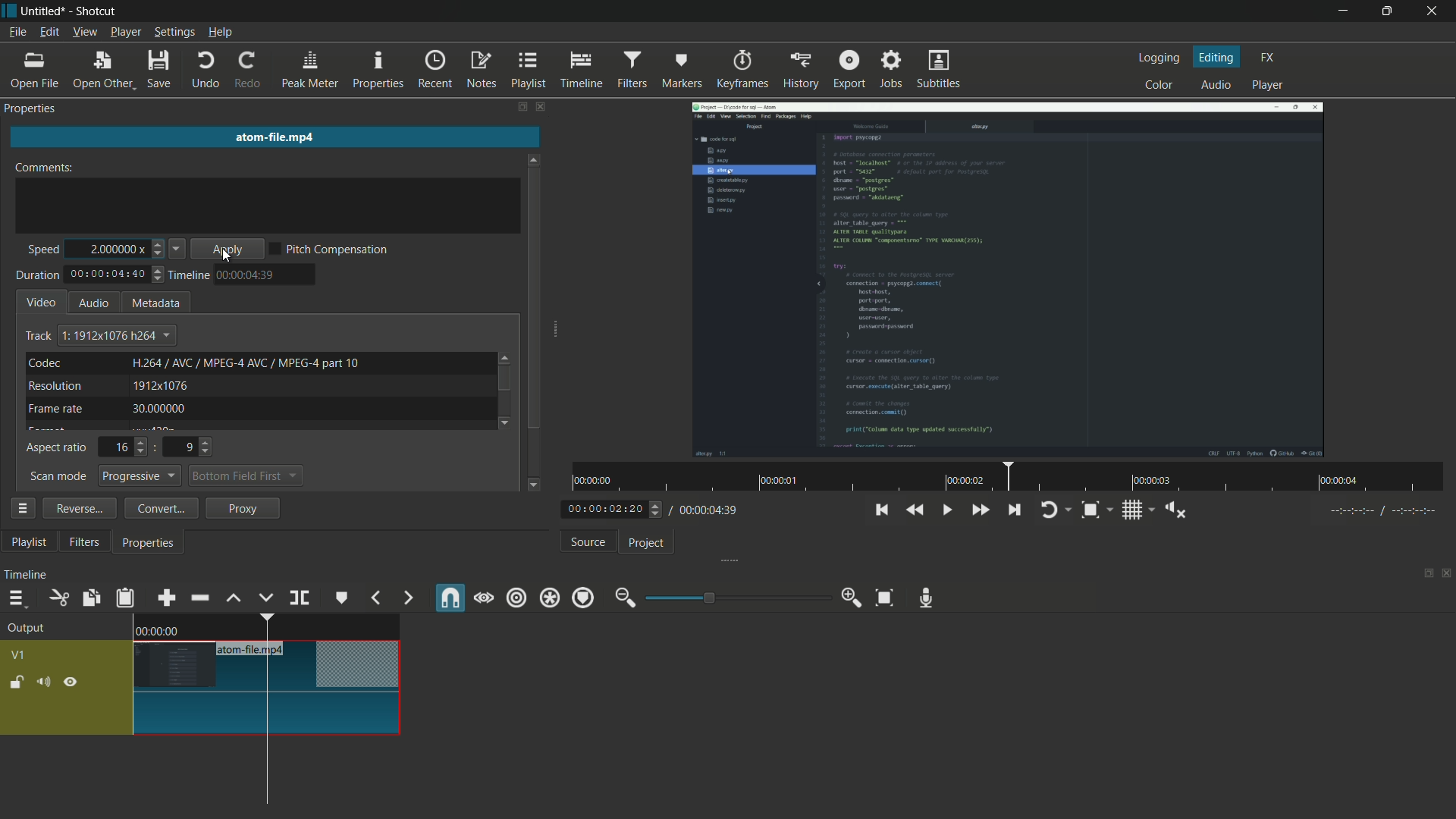  Describe the element at coordinates (891, 69) in the screenshot. I see `jobs` at that location.